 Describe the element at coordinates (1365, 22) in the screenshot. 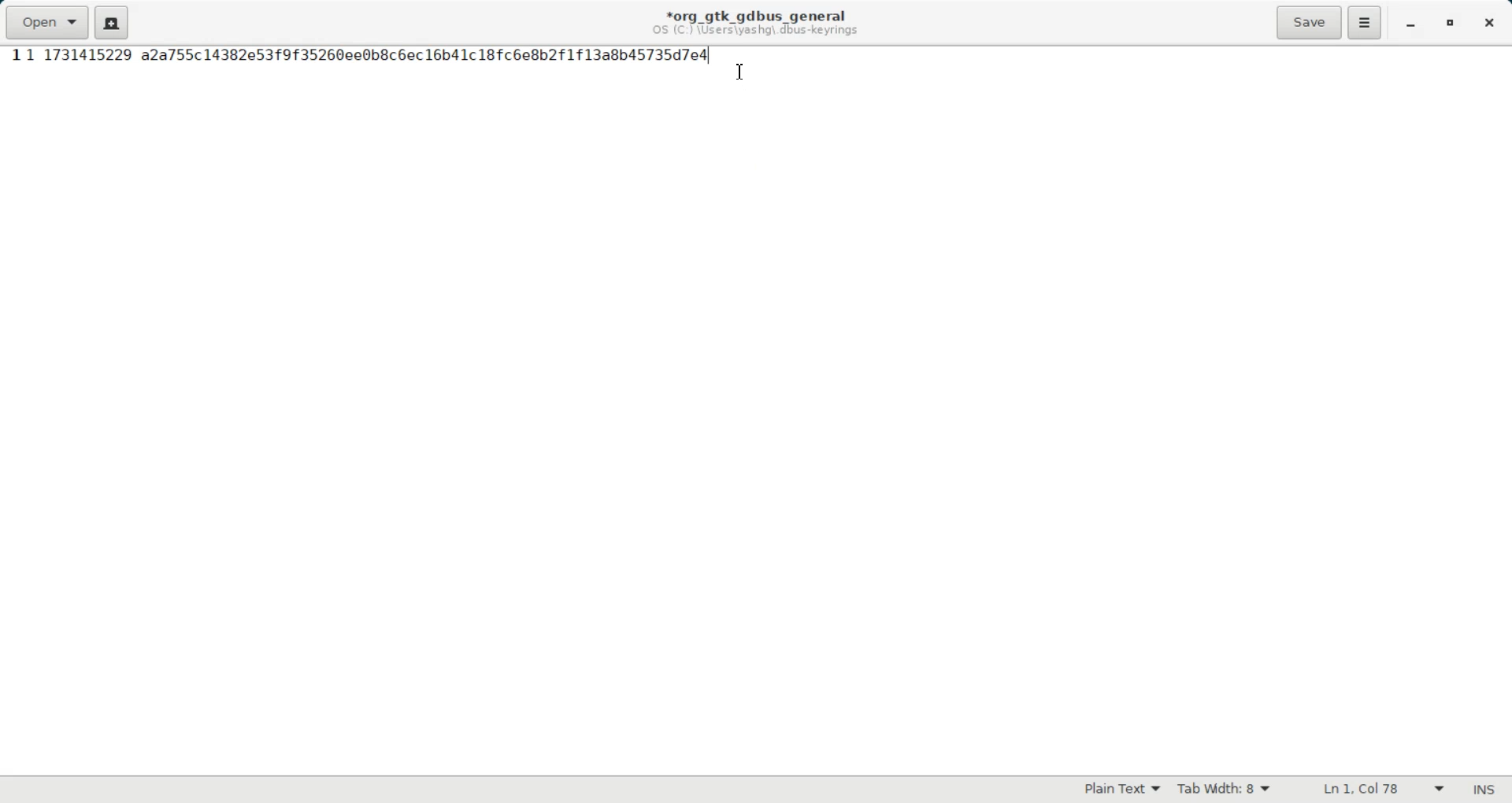

I see `Hamburger Settings` at that location.